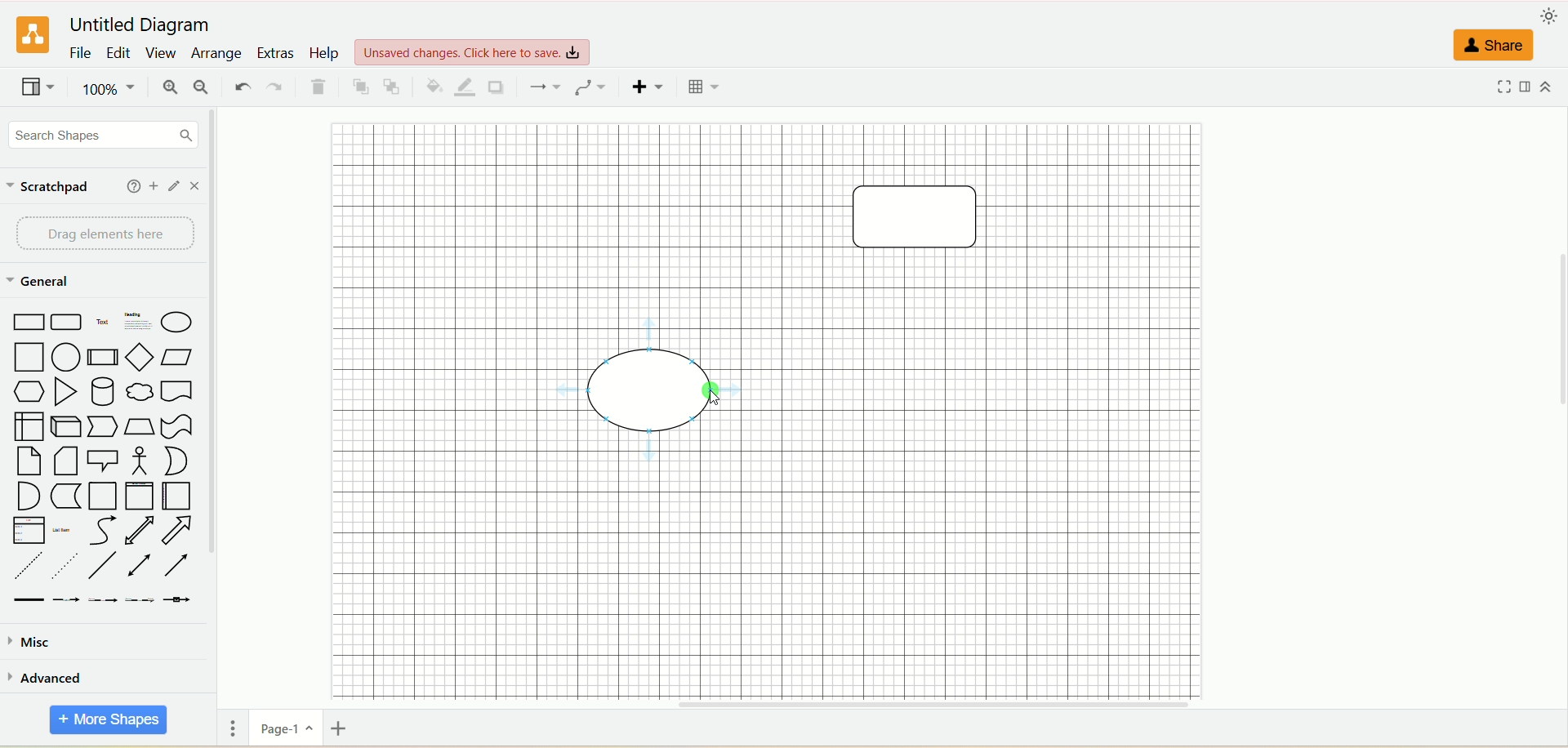 This screenshot has width=1568, height=748. Describe the element at coordinates (1551, 87) in the screenshot. I see `expand/collapse` at that location.